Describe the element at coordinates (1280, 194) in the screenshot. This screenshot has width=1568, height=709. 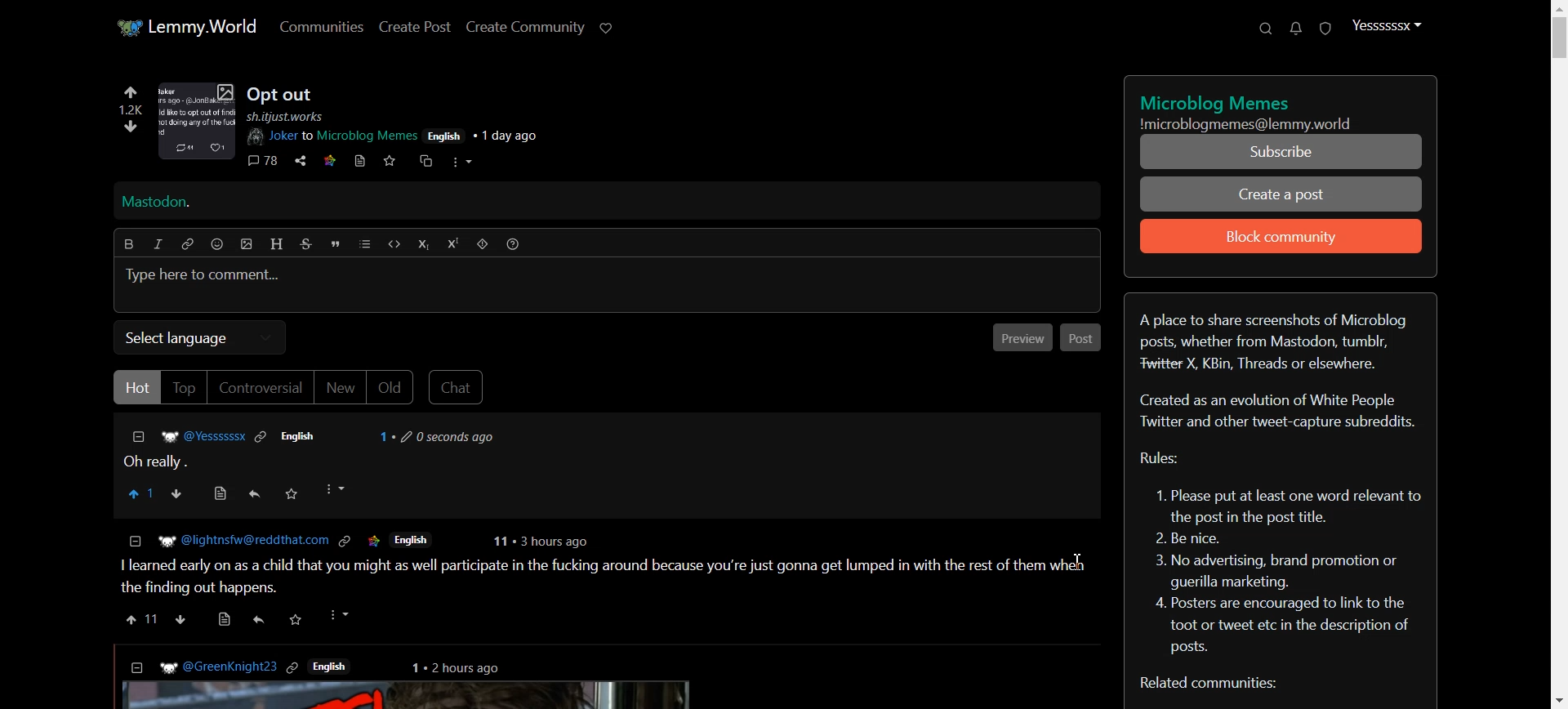
I see `Create a Post` at that location.